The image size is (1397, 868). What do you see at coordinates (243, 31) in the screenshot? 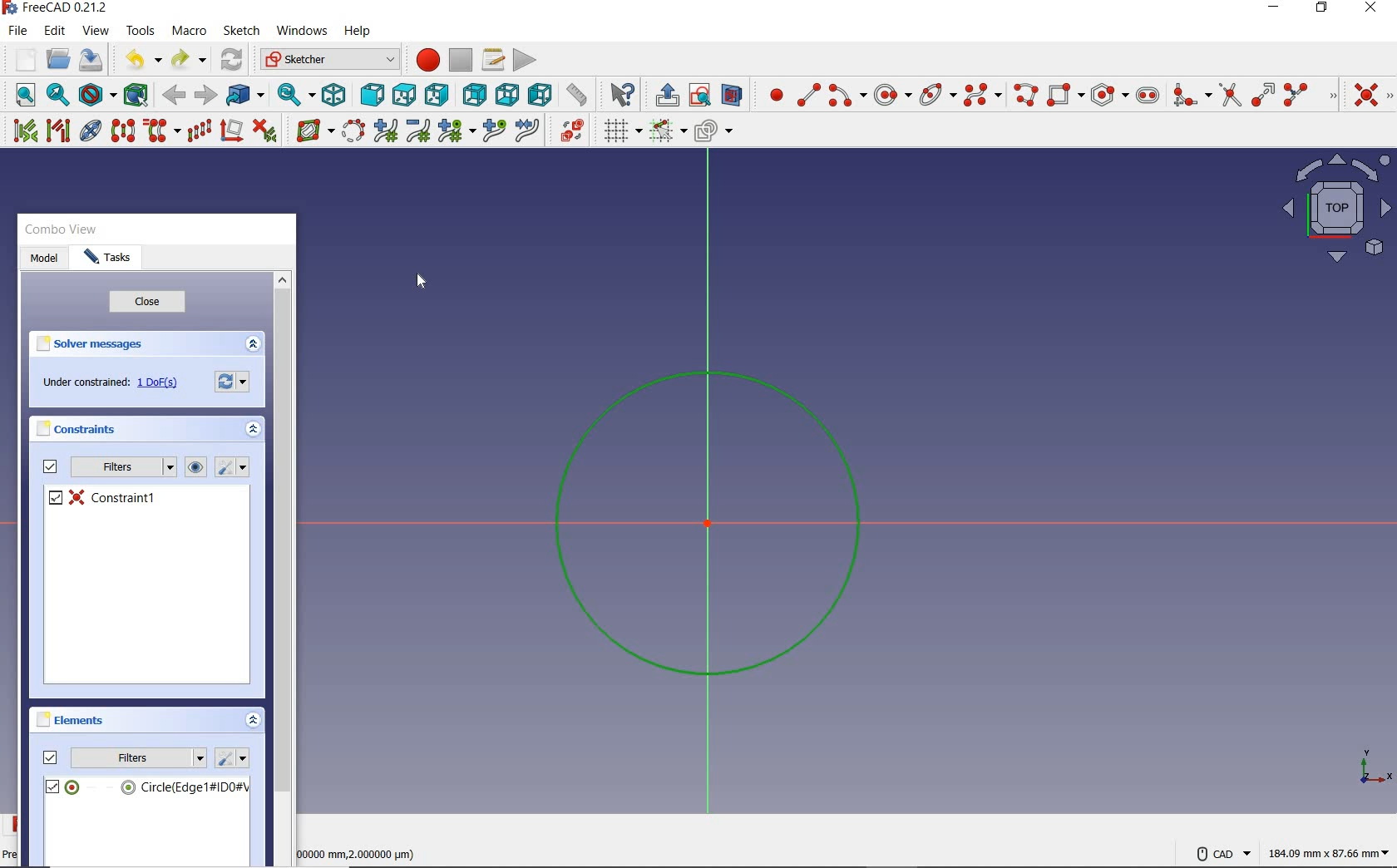
I see `sketch` at bounding box center [243, 31].